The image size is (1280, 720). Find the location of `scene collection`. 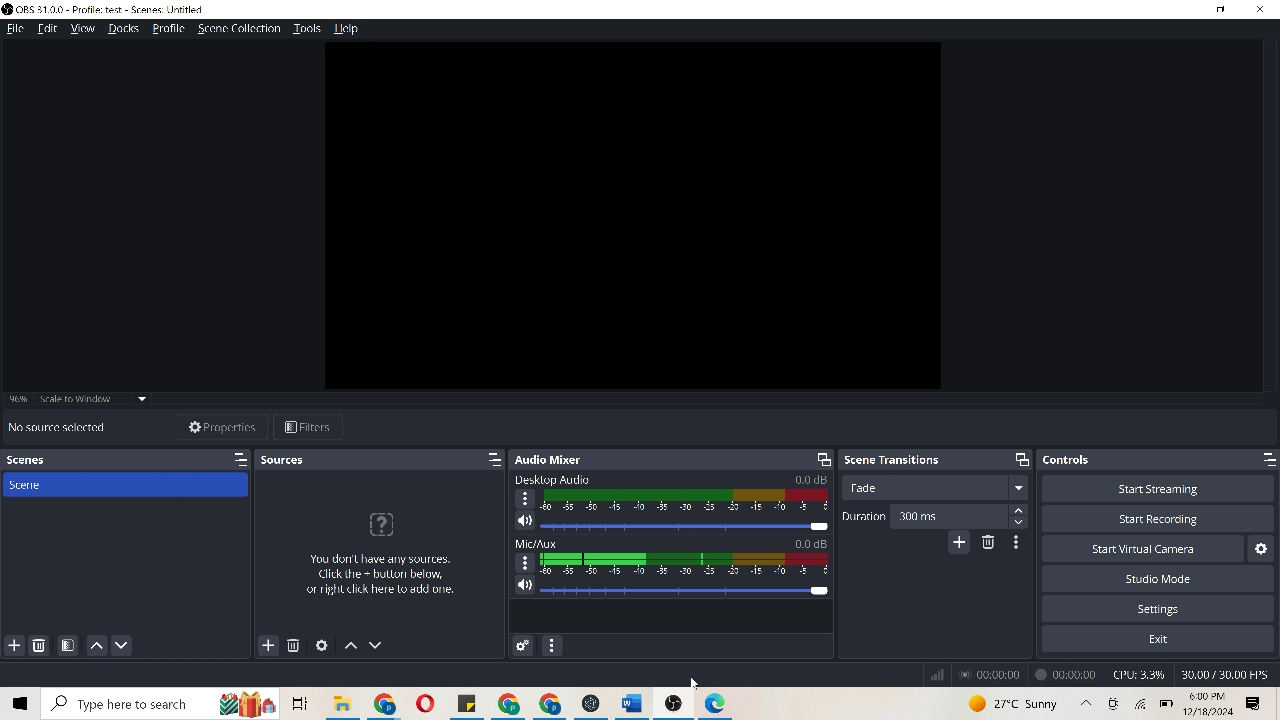

scene collection is located at coordinates (242, 27).